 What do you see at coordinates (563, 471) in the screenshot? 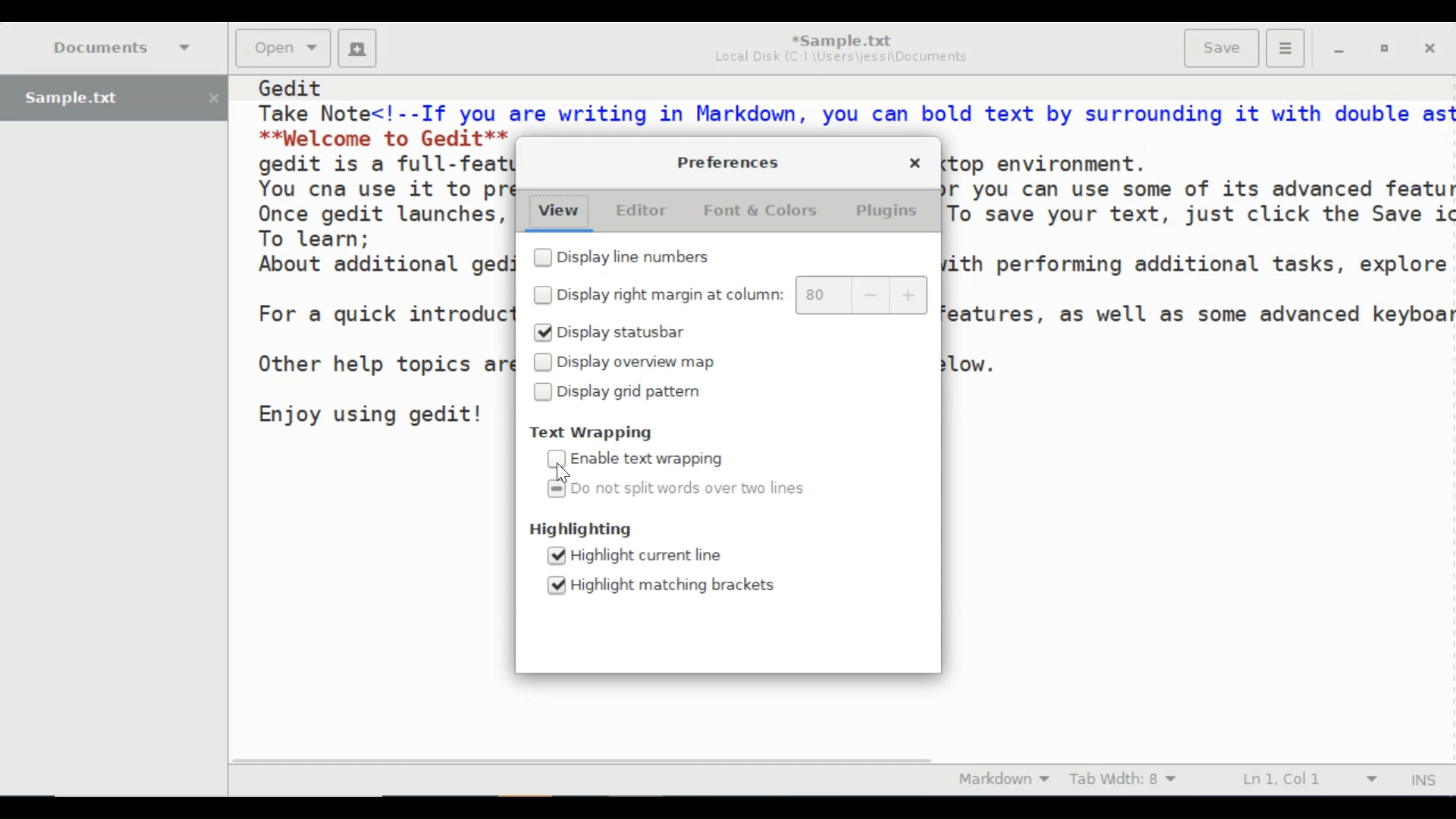
I see `Cursor` at bounding box center [563, 471].